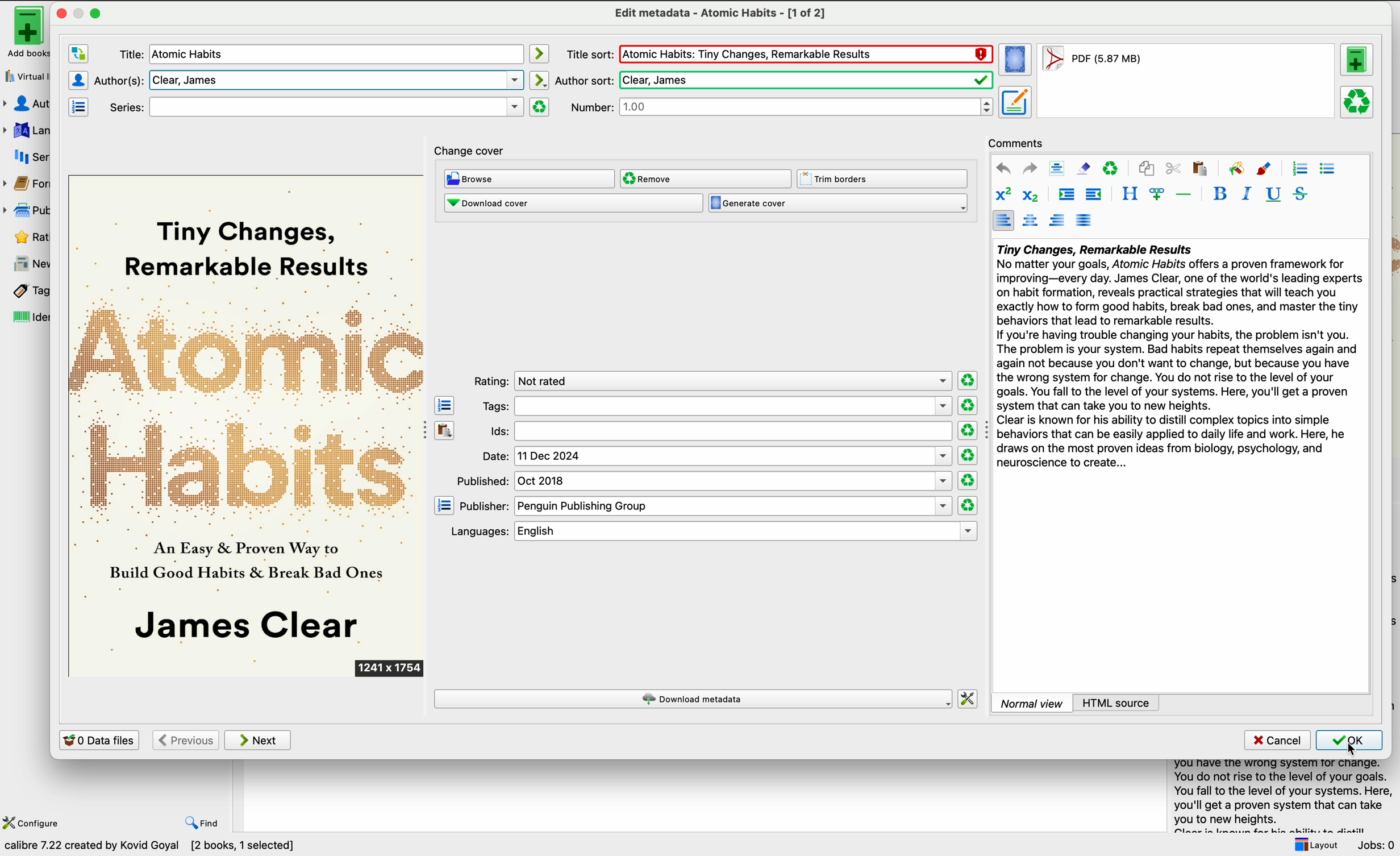 The height and width of the screenshot is (856, 1400). I want to click on cover book, so click(248, 426).